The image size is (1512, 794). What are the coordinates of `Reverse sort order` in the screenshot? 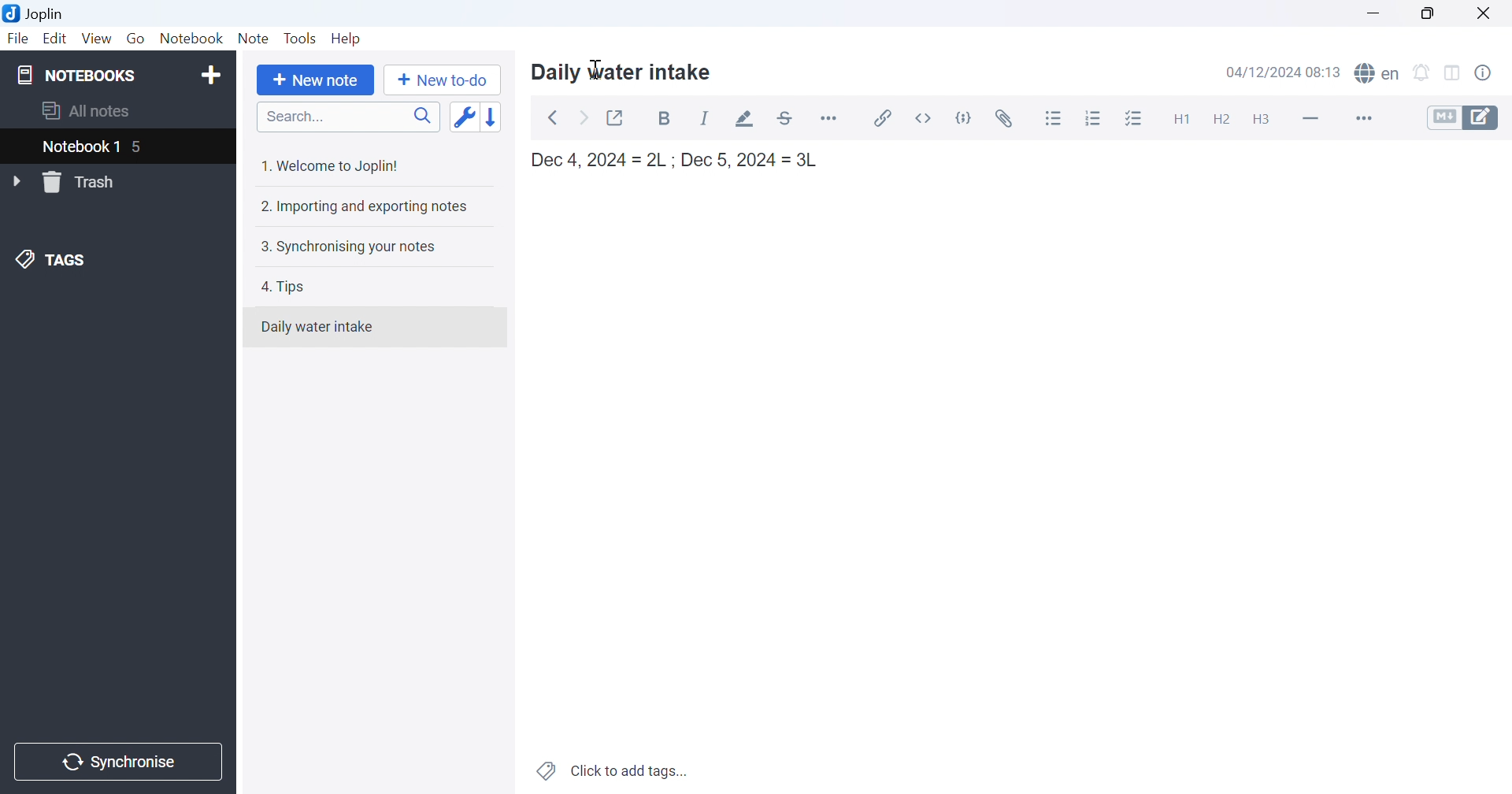 It's located at (495, 114).